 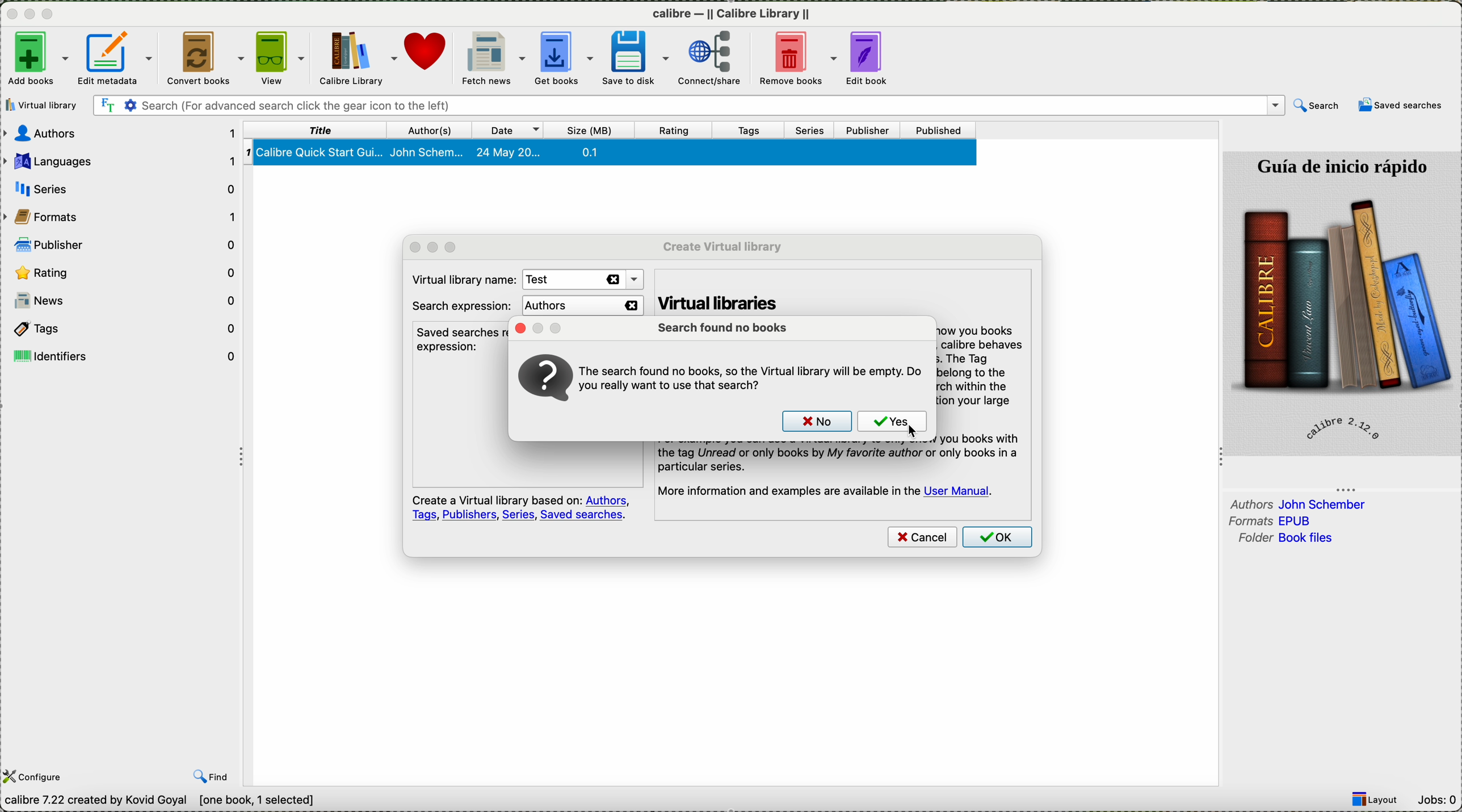 What do you see at coordinates (512, 130) in the screenshot?
I see `date` at bounding box center [512, 130].